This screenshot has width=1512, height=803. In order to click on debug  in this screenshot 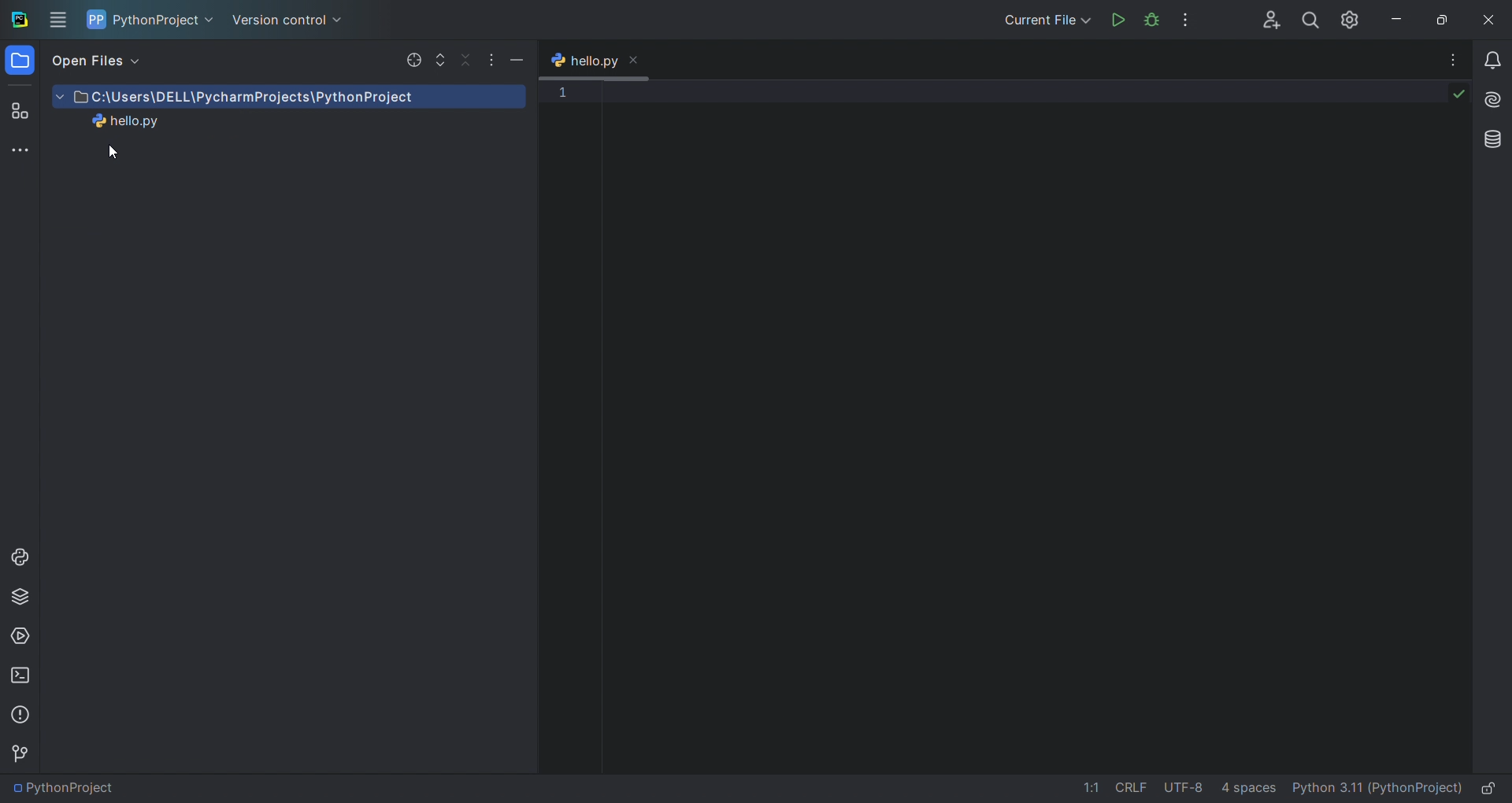, I will do `click(1151, 20)`.